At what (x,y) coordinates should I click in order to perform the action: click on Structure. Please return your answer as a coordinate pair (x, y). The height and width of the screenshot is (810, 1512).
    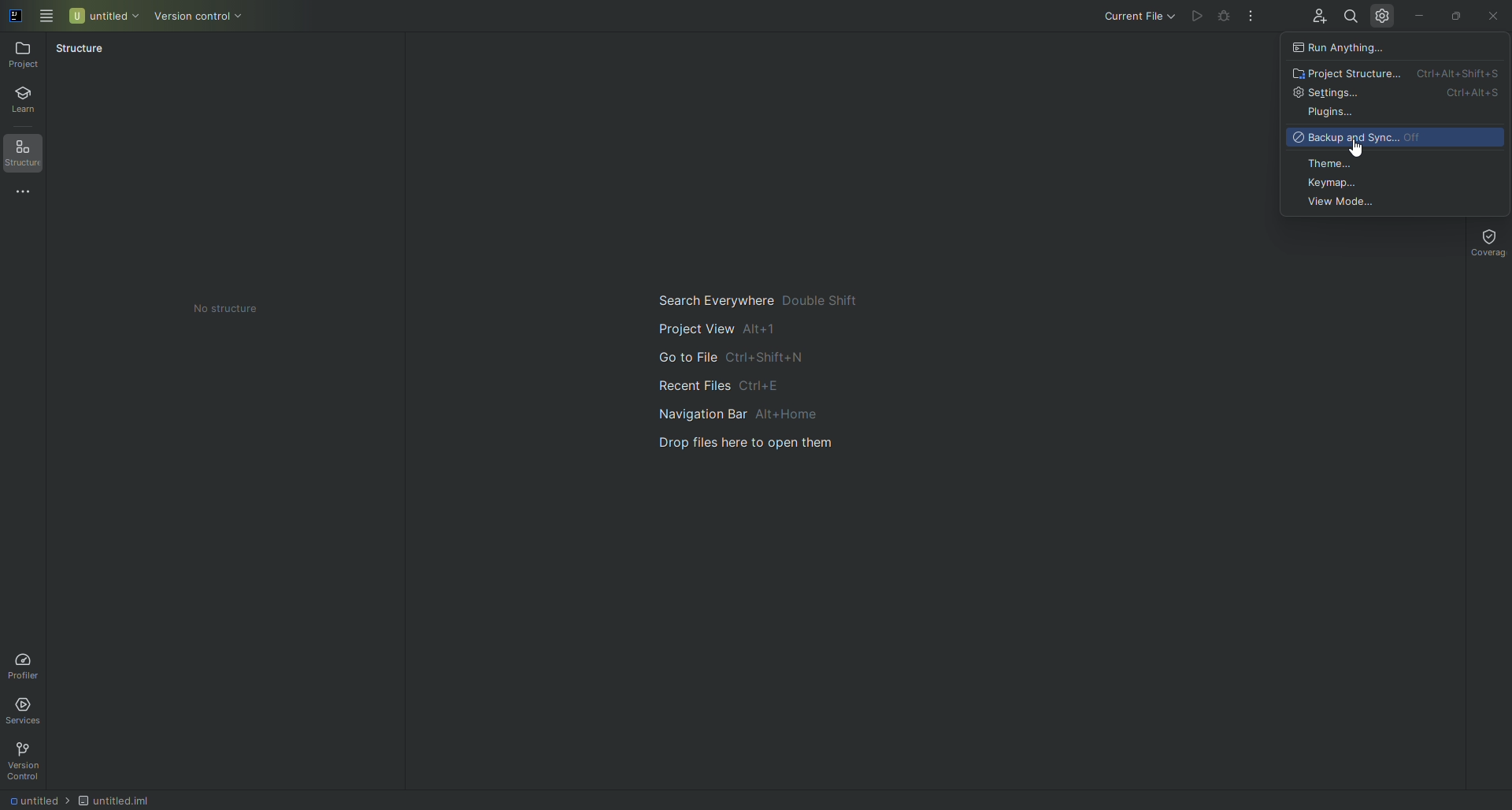
    Looking at the image, I should click on (29, 155).